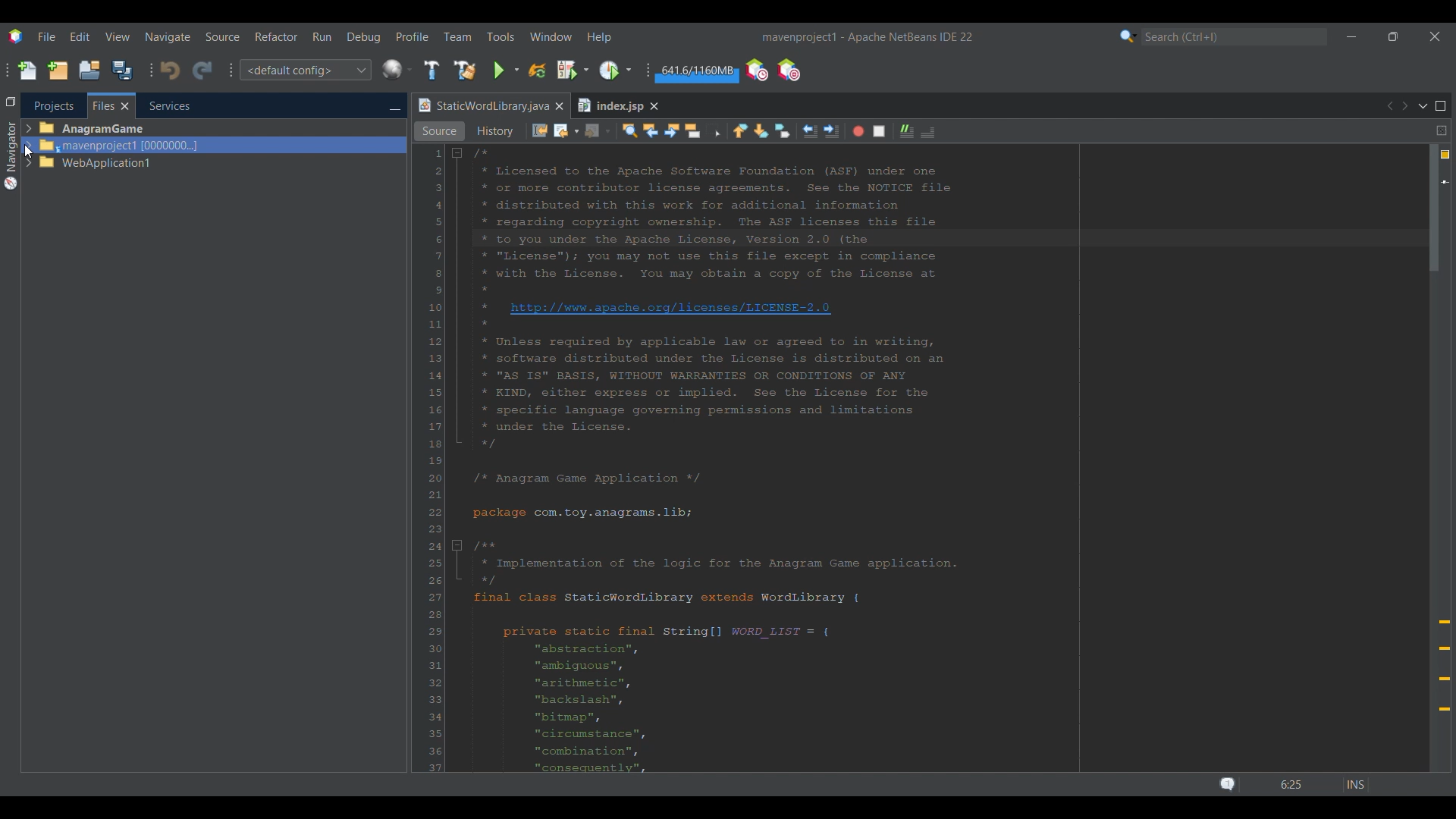 The image size is (1456, 819). I want to click on Projects tab, so click(53, 105).